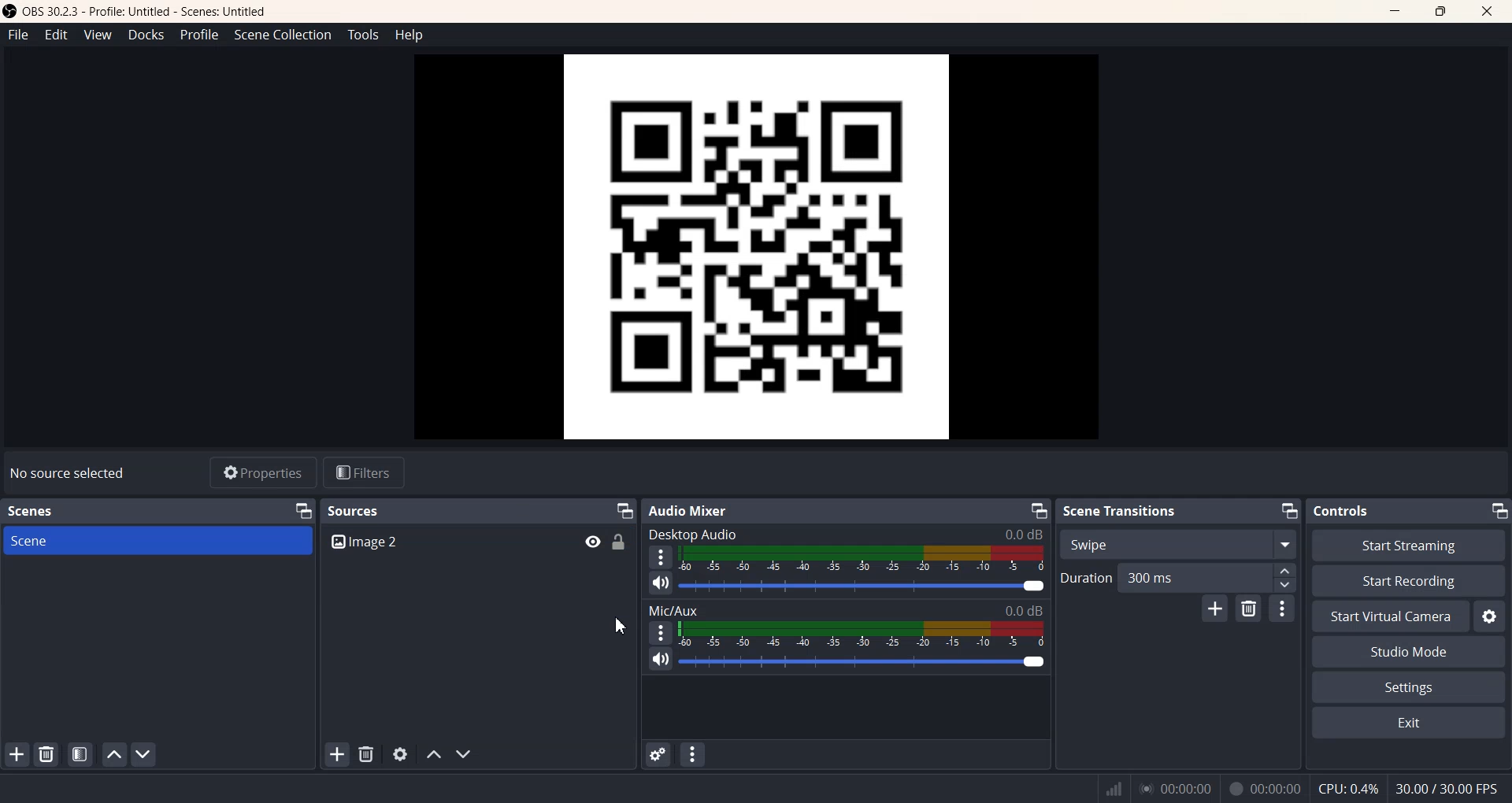 The width and height of the screenshot is (1512, 803). Describe the element at coordinates (137, 10) in the screenshot. I see `OBS 30.2.3 - Profile: Untitled - Scenes: Untitled` at that location.